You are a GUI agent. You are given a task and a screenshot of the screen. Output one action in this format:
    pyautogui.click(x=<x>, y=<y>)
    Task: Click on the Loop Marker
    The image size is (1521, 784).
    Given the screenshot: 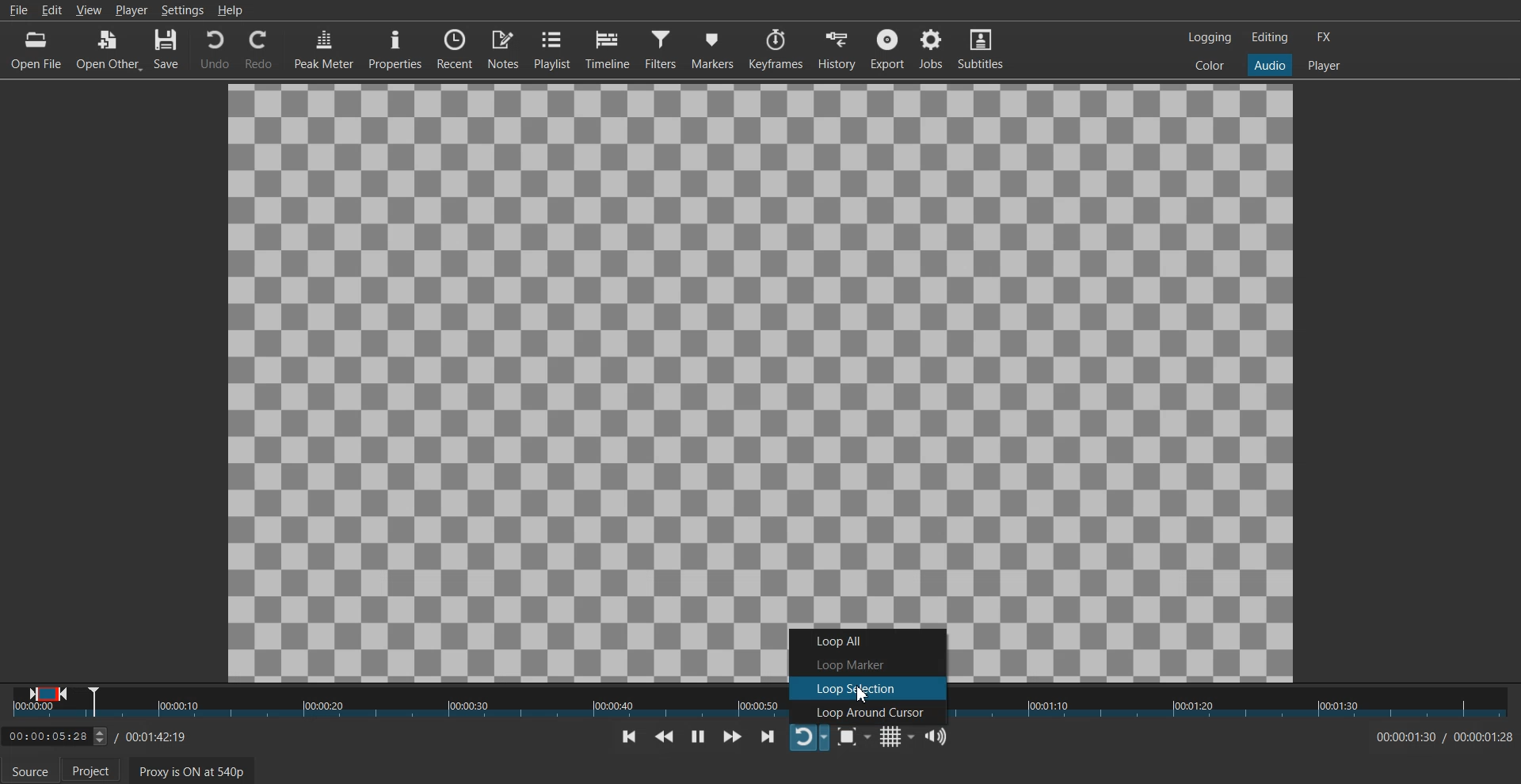 What is the action you would take?
    pyautogui.click(x=867, y=663)
    